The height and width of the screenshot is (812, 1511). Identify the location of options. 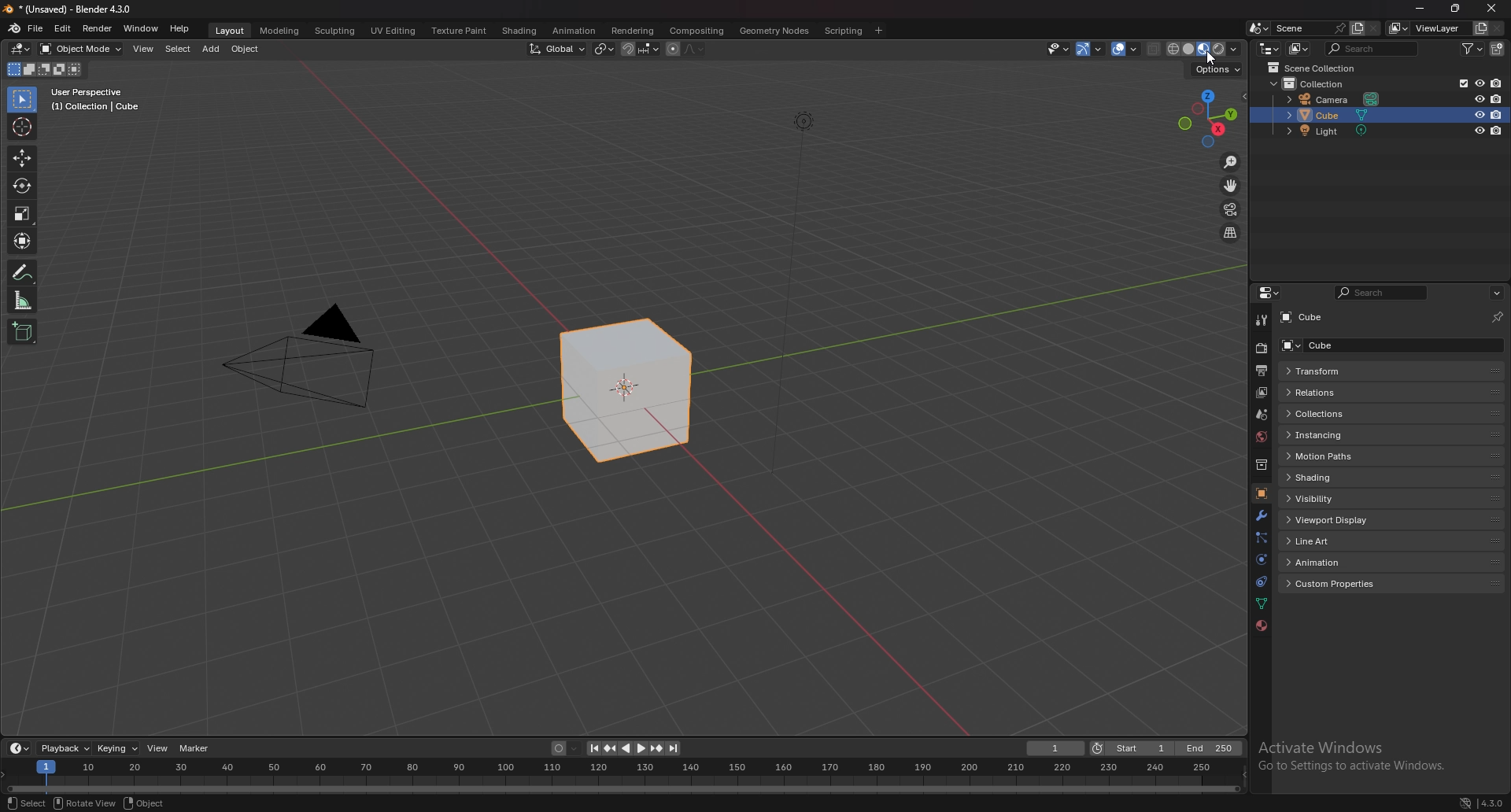
(1497, 293).